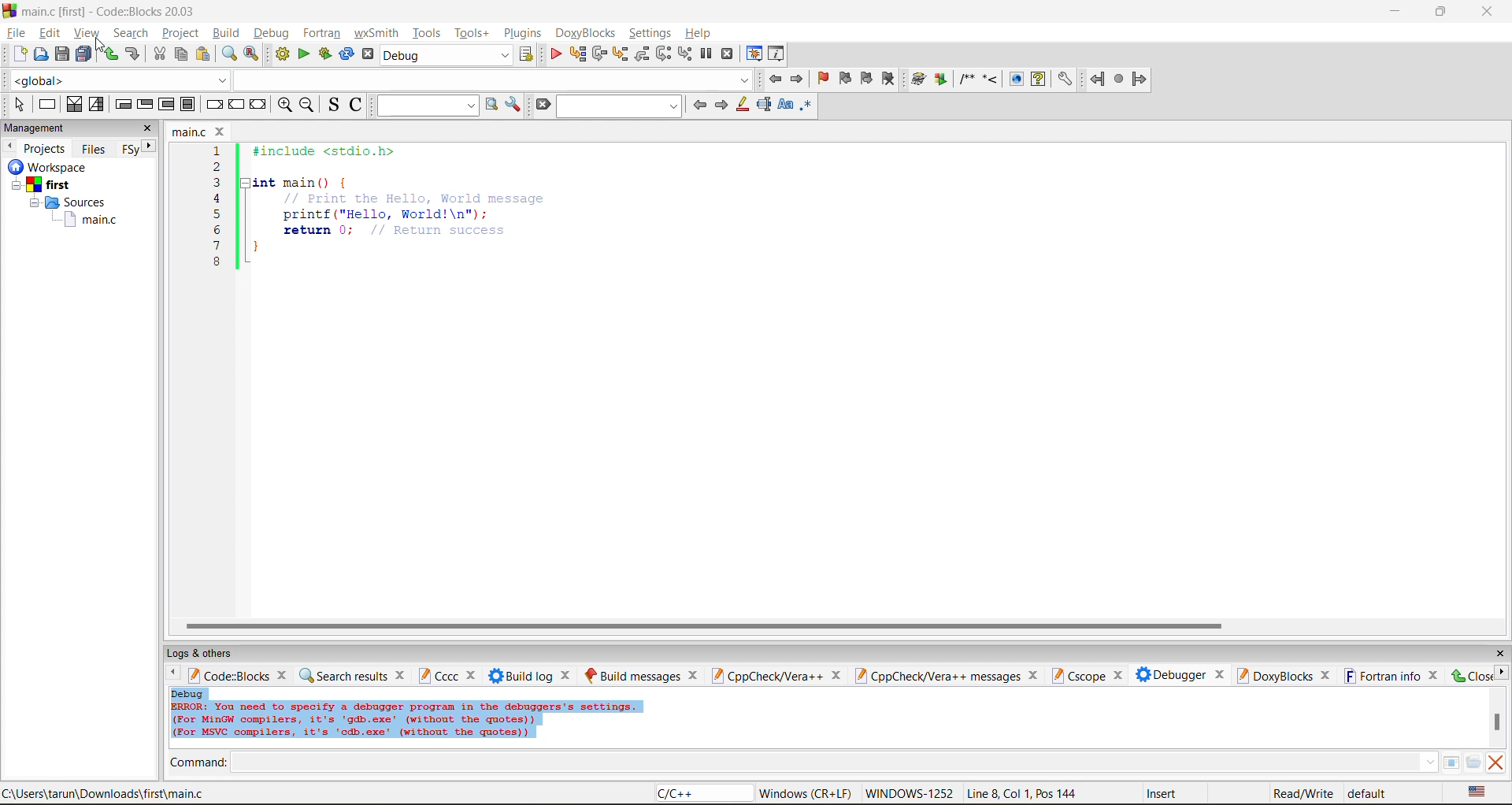 The height and width of the screenshot is (805, 1512). Describe the element at coordinates (645, 54) in the screenshot. I see `step out` at that location.